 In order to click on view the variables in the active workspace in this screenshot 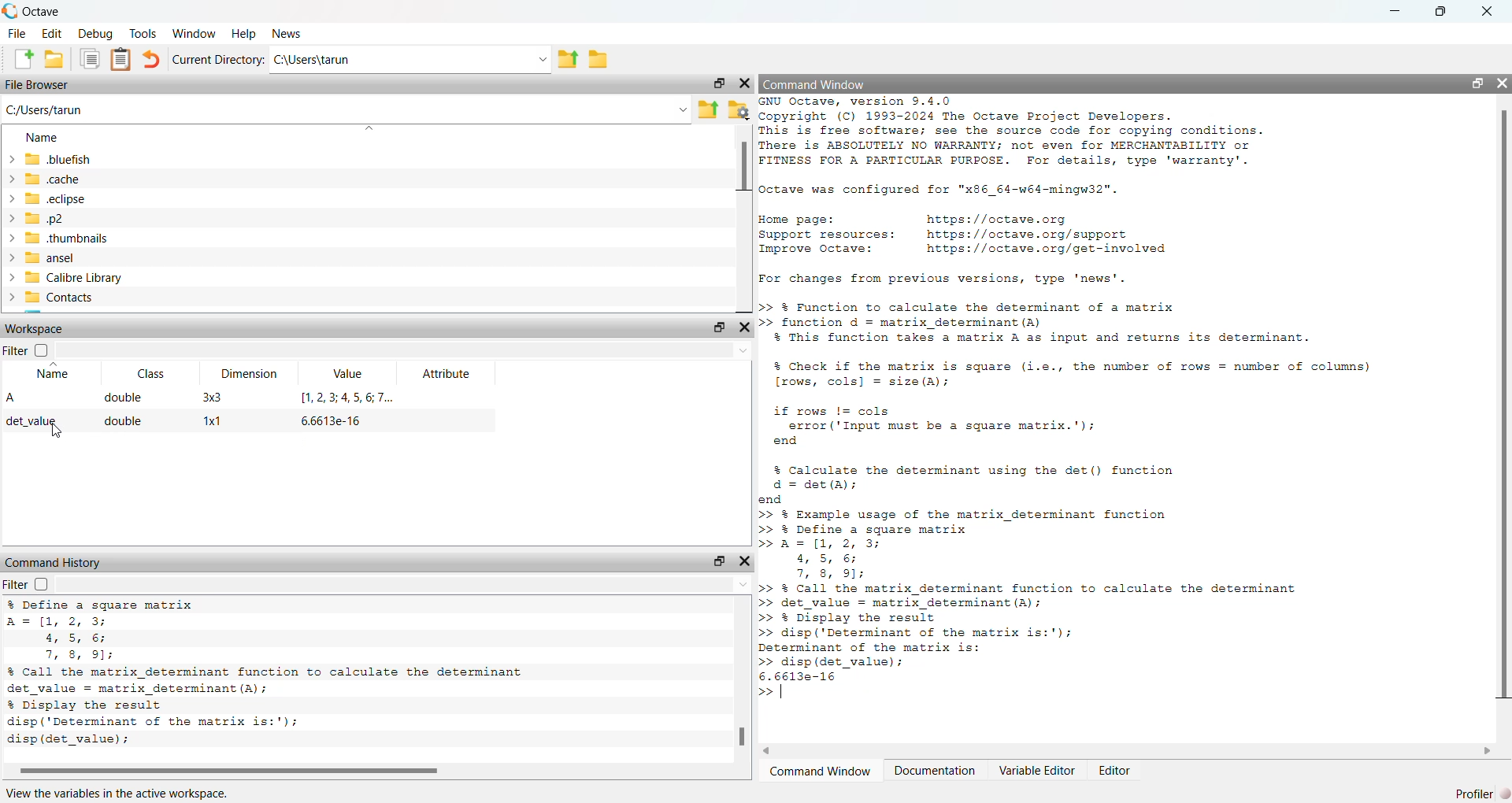, I will do `click(135, 791)`.